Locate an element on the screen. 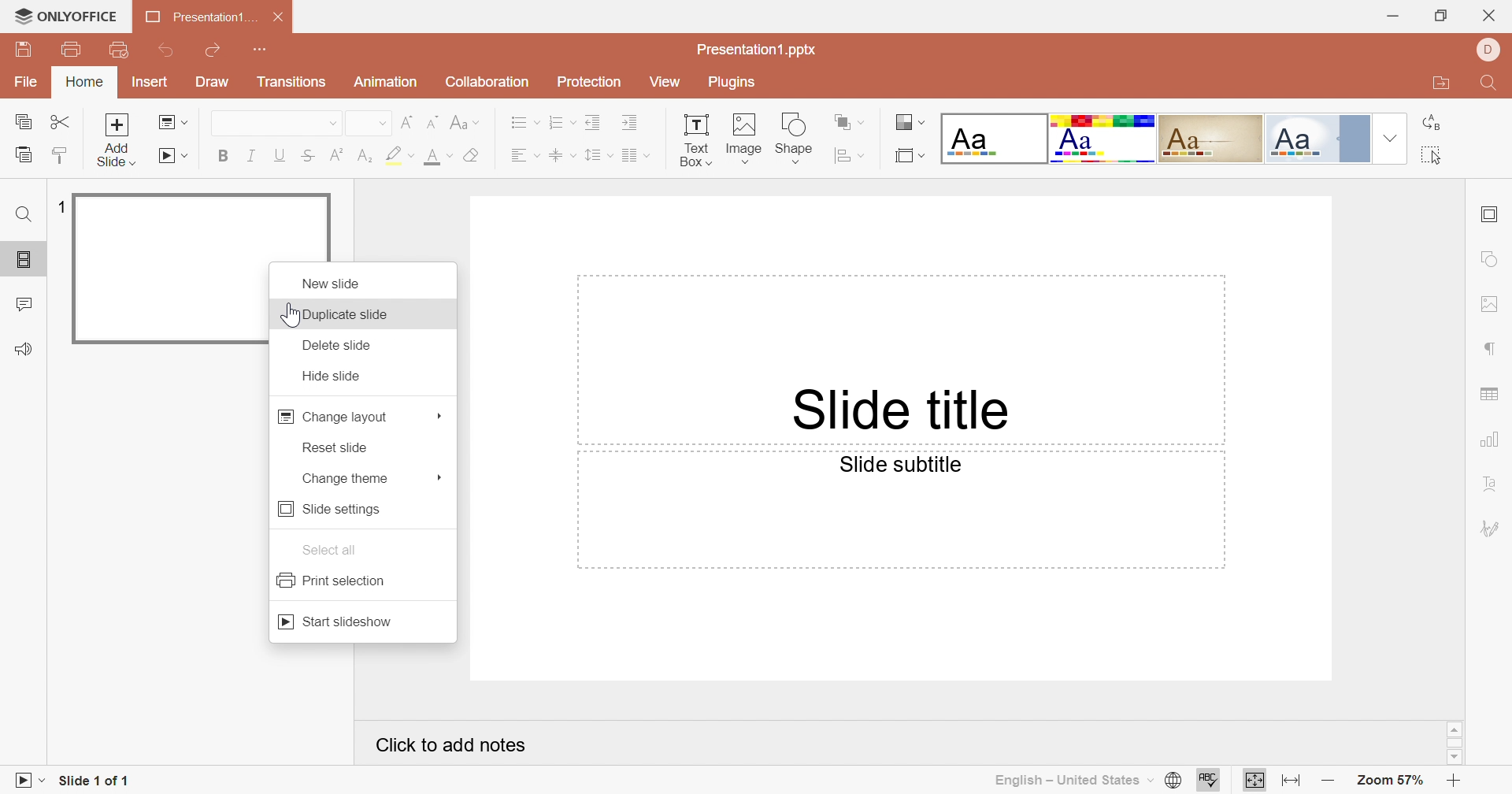  Drop Down is located at coordinates (411, 154).